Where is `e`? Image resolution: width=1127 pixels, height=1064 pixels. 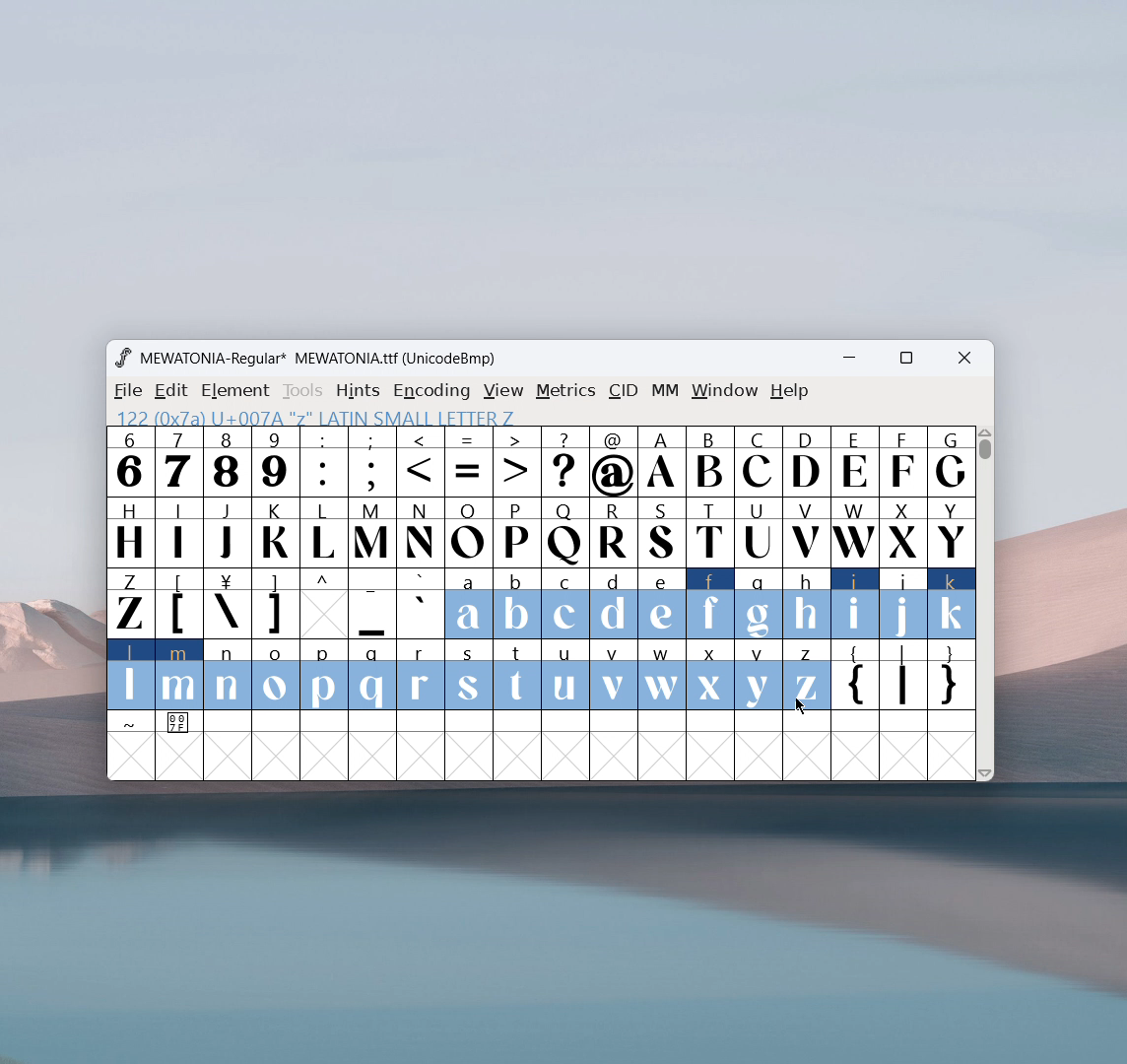
e is located at coordinates (662, 605).